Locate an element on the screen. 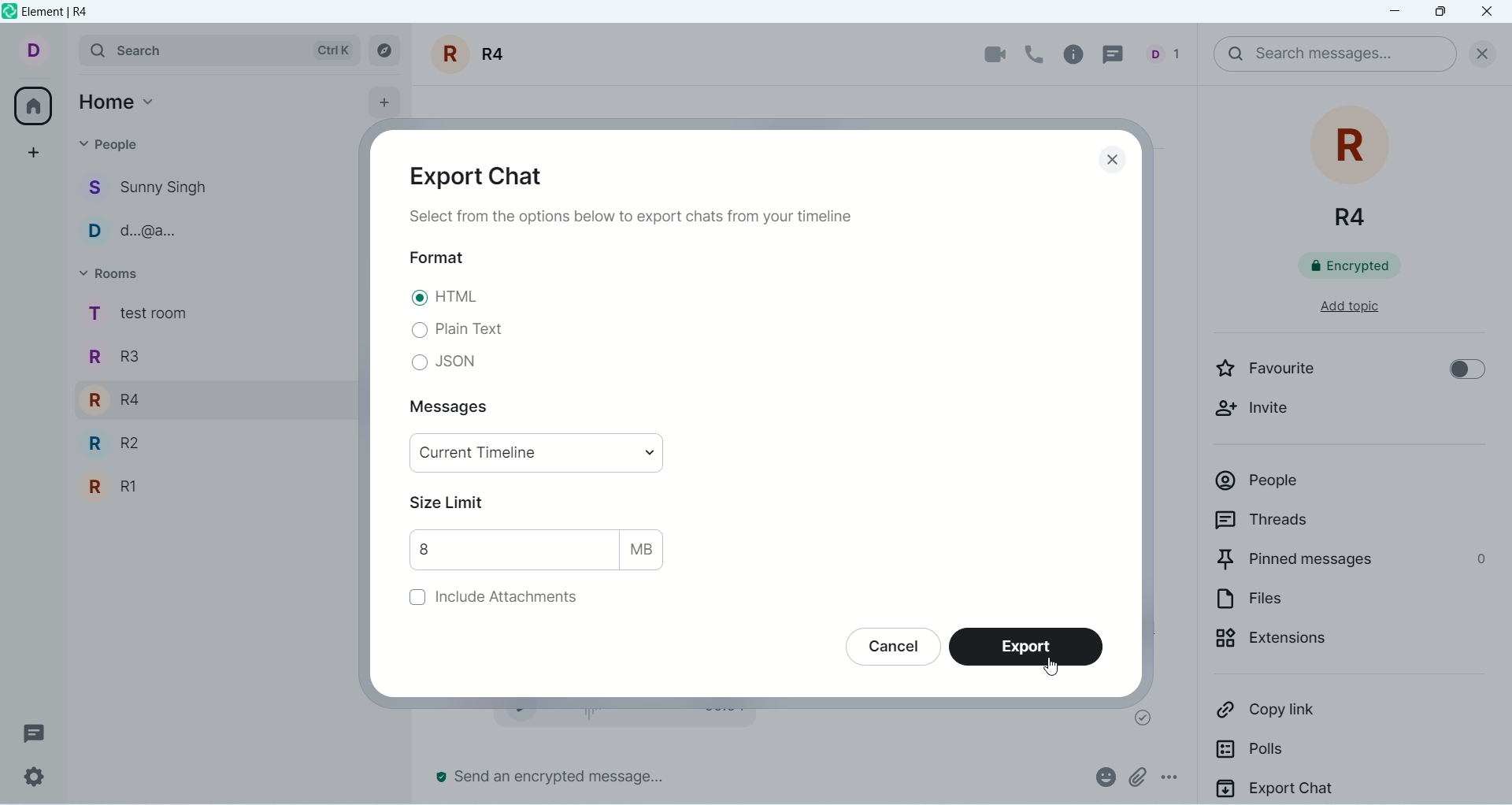  vertical scroll bar is located at coordinates (1503, 444).